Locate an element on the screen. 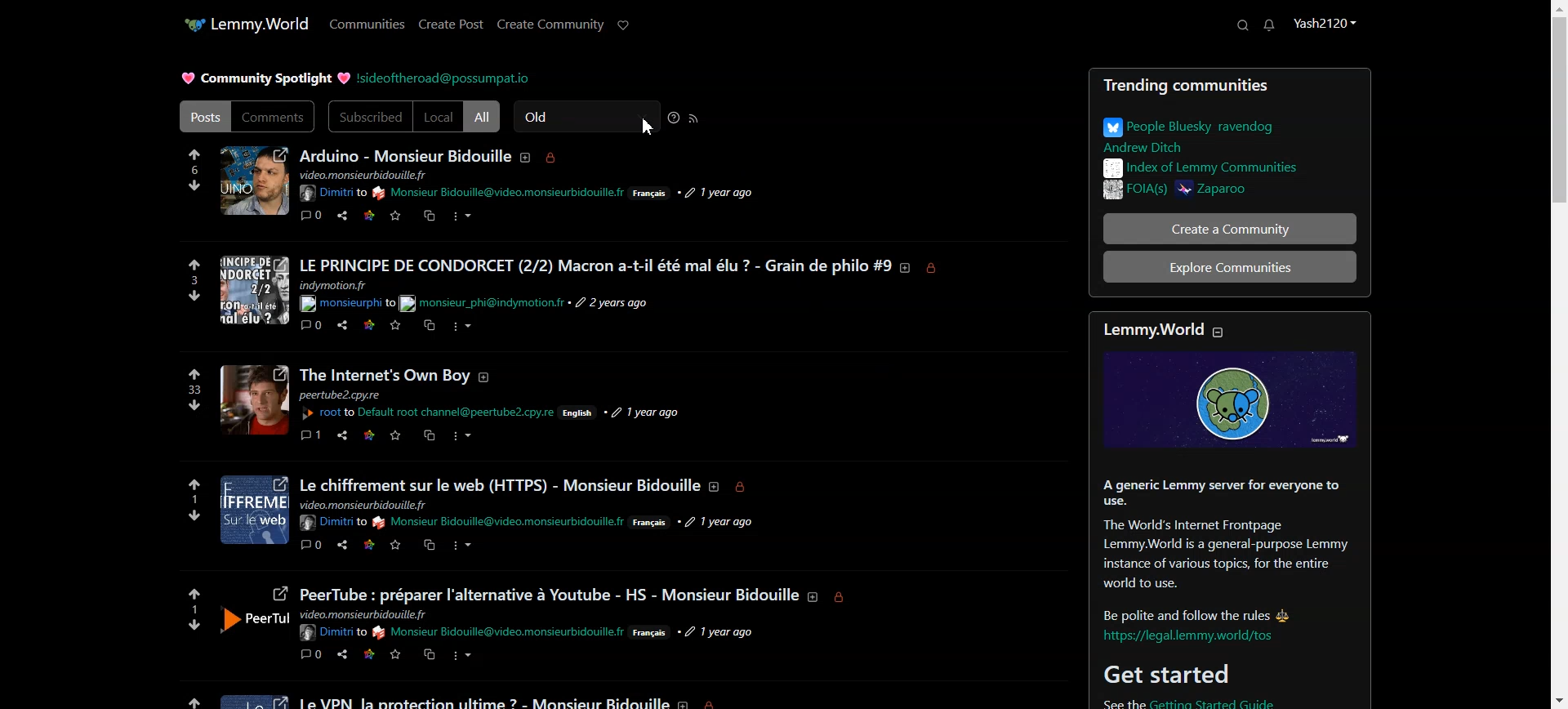  Upvote is located at coordinates (194, 154).